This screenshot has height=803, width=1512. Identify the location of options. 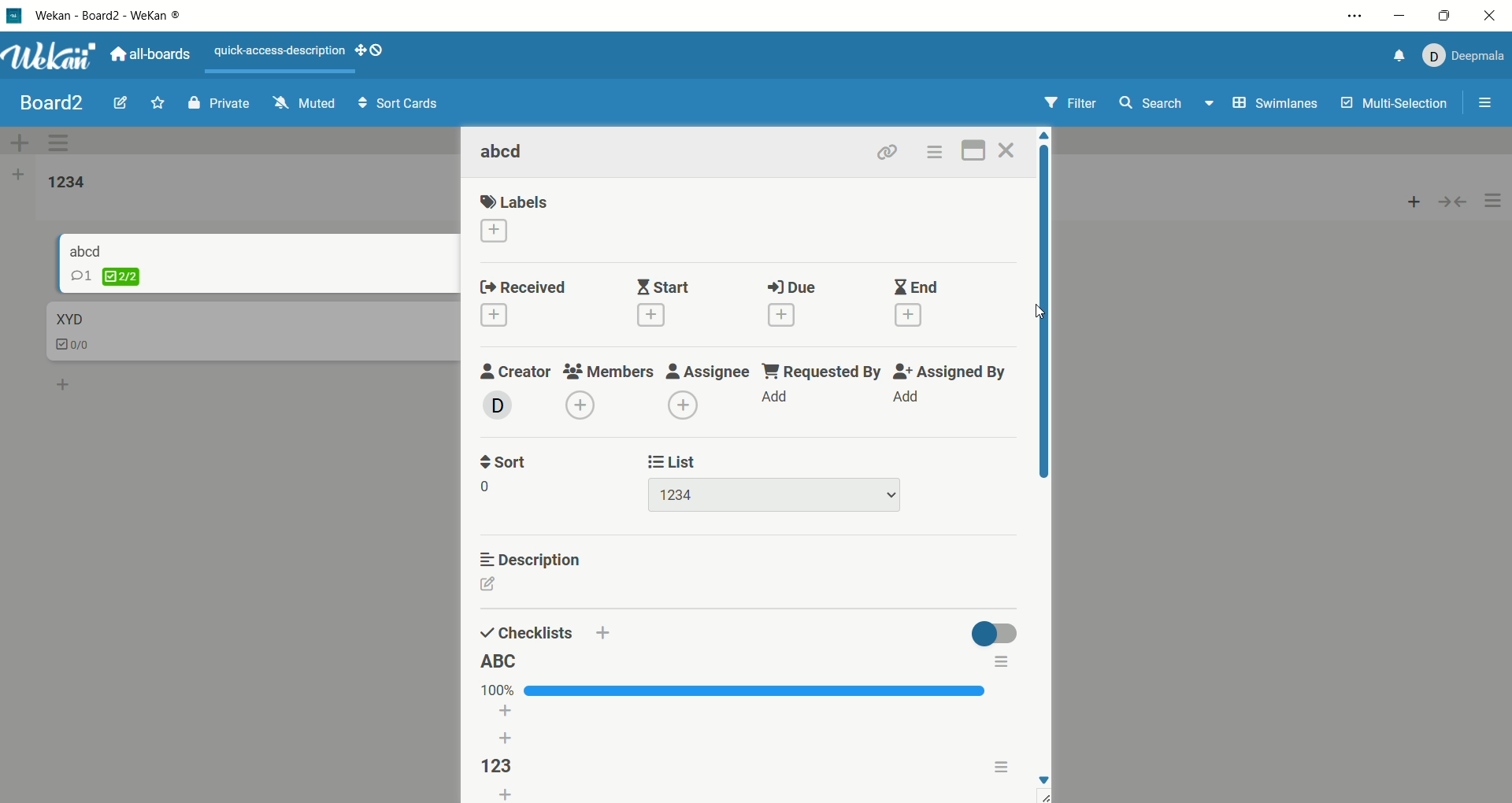
(1494, 202).